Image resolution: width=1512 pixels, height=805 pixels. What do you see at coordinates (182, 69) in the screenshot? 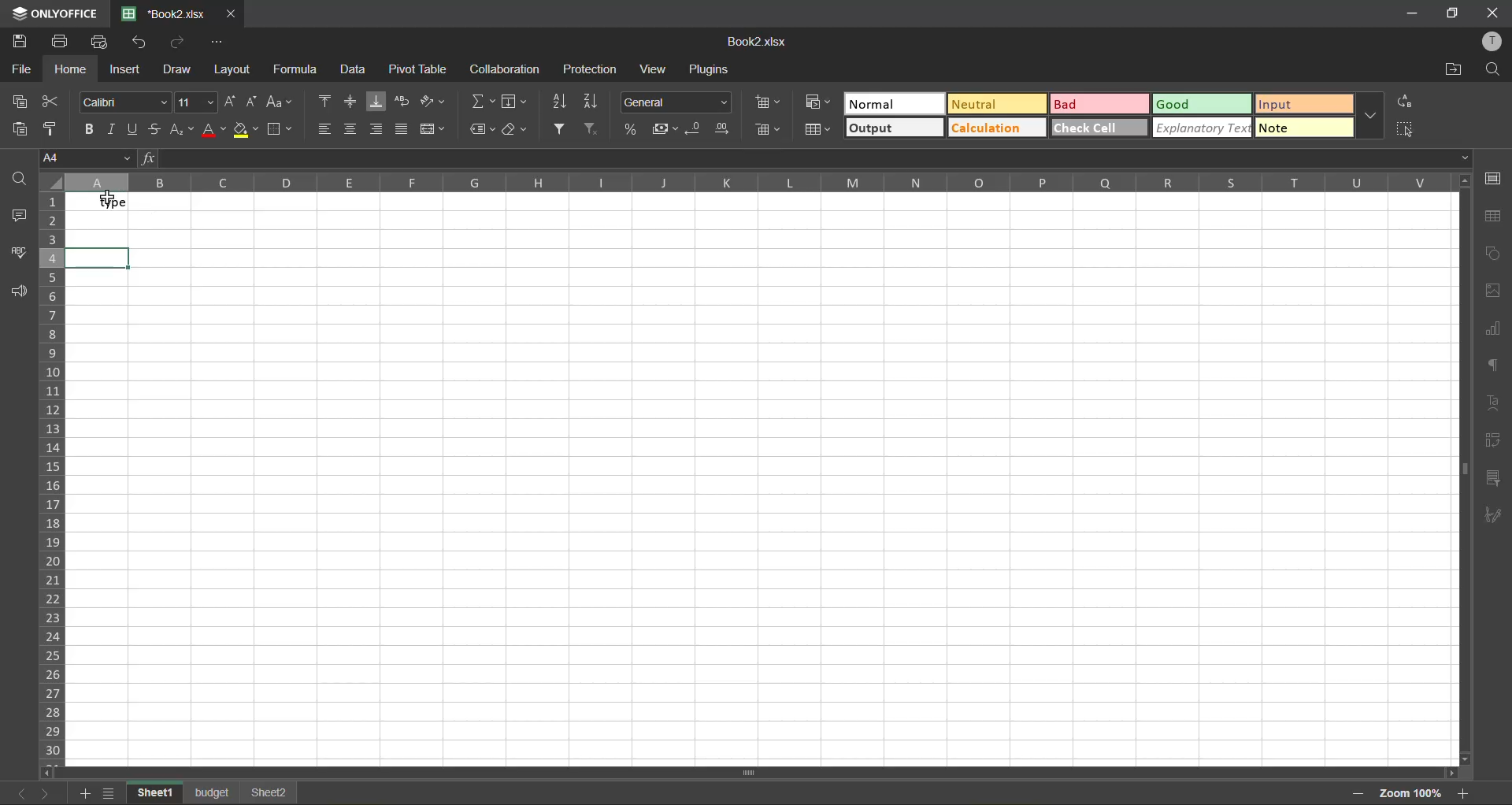
I see `draw` at bounding box center [182, 69].